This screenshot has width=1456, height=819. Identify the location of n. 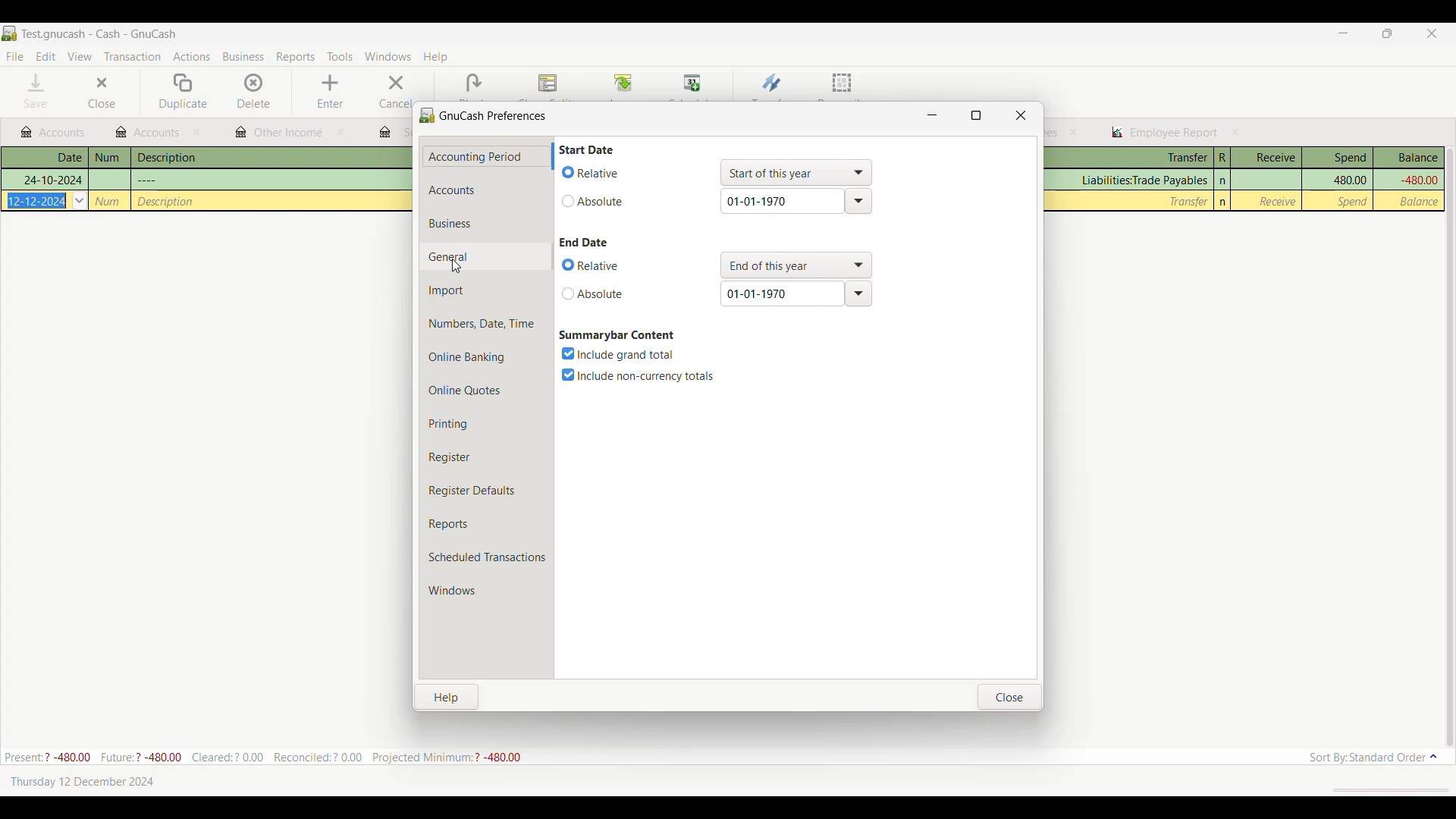
(1223, 202).